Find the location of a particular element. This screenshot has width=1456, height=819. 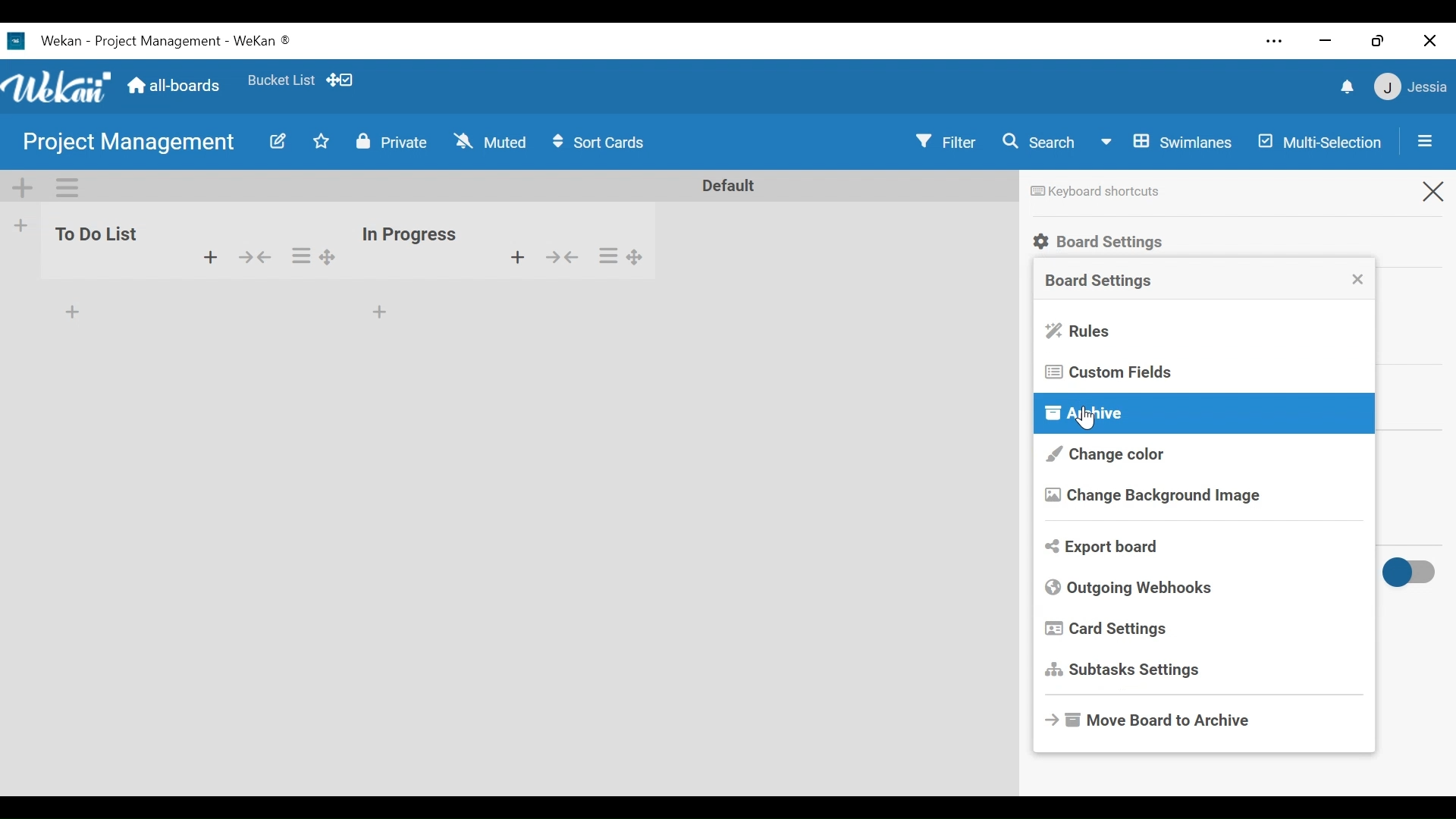

Member Settings is located at coordinates (1412, 87).